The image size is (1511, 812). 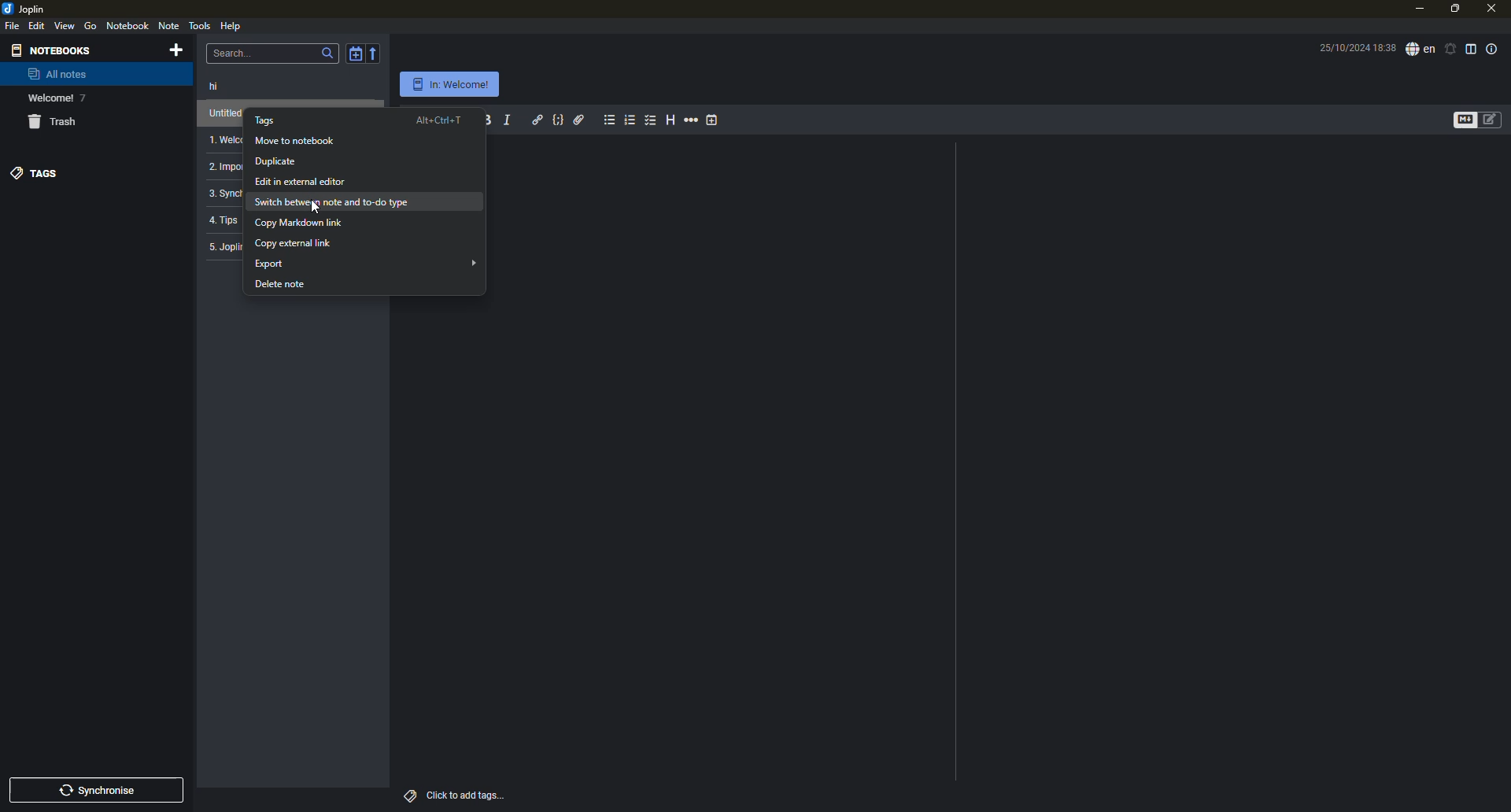 I want to click on numbered list, so click(x=630, y=120).